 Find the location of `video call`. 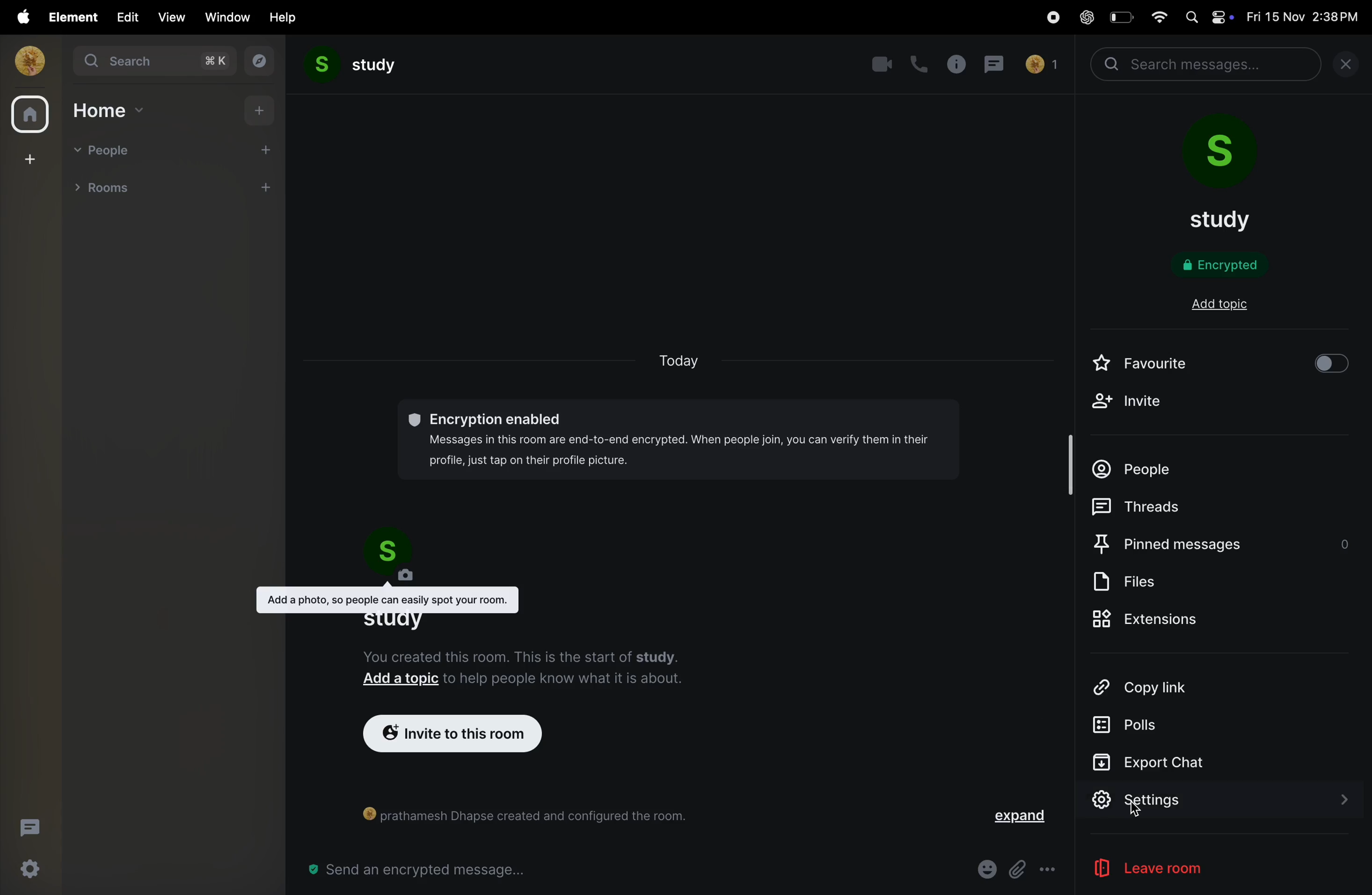

video call is located at coordinates (881, 64).